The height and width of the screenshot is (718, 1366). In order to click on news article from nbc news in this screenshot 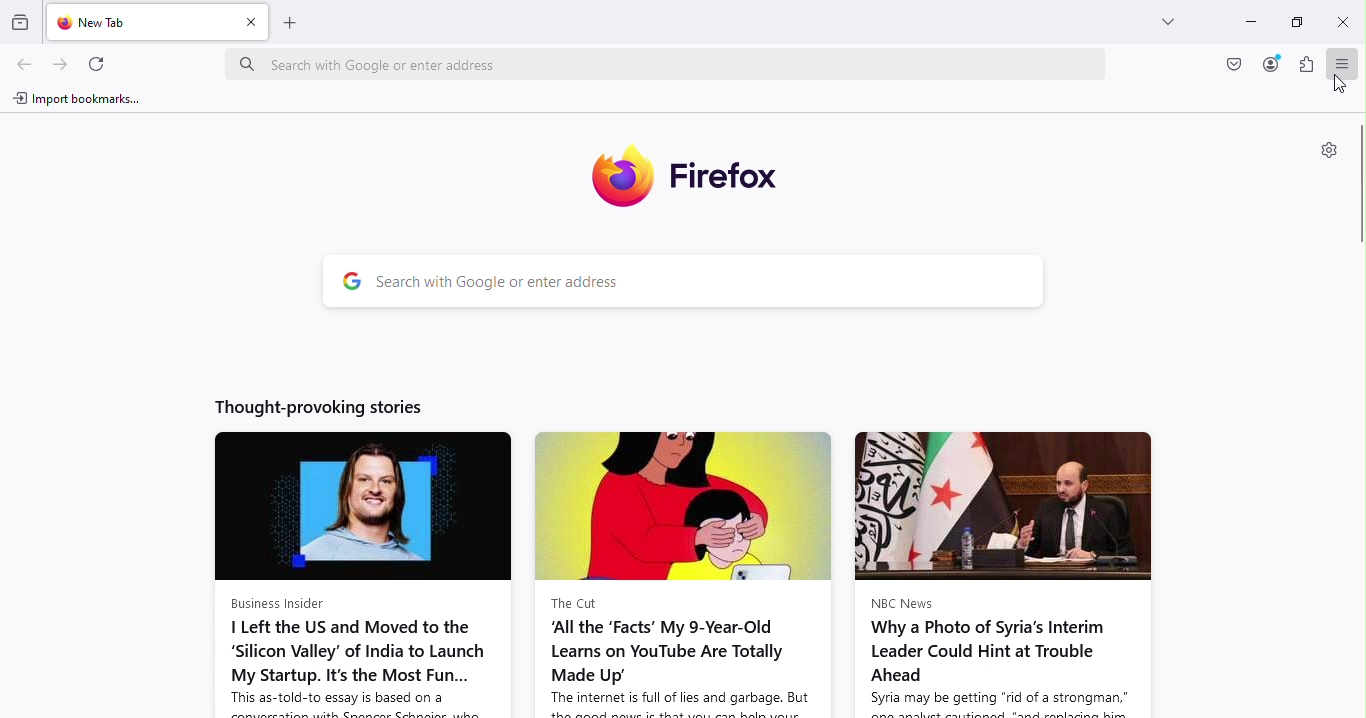, I will do `click(1007, 574)`.